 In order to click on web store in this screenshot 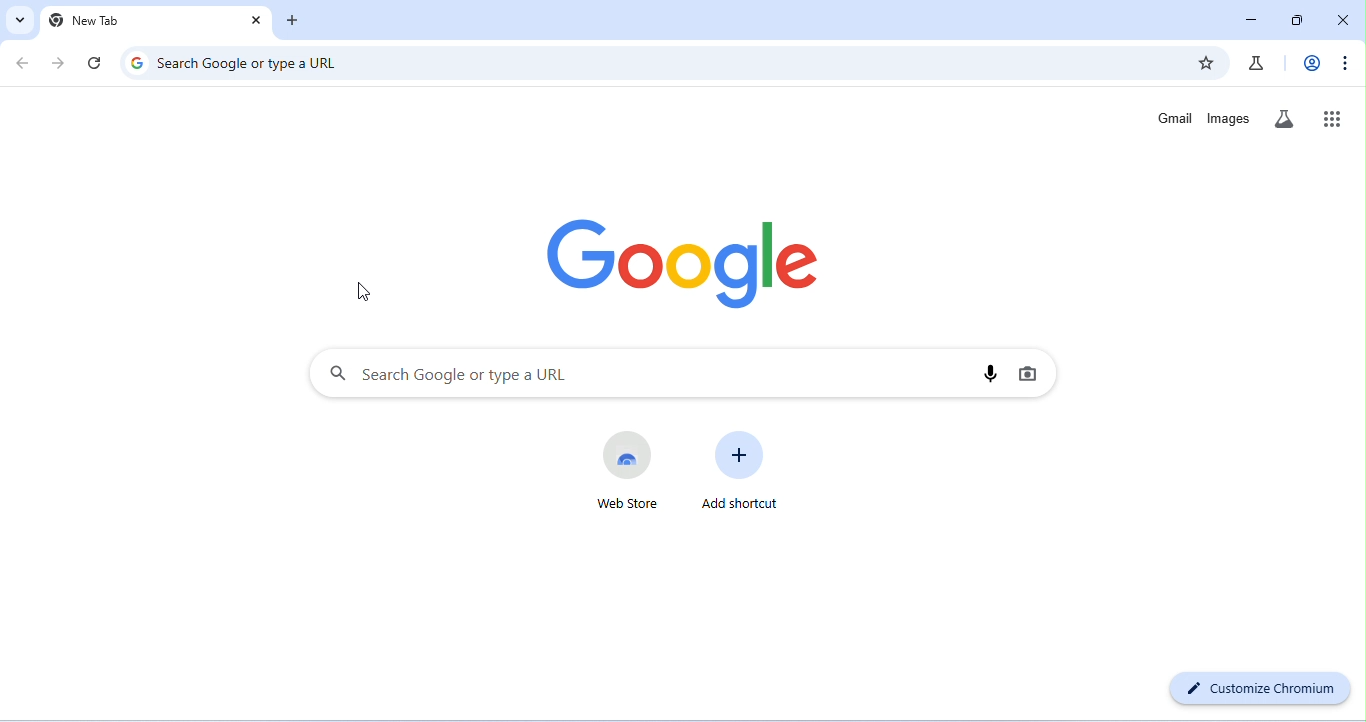, I will do `click(624, 471)`.